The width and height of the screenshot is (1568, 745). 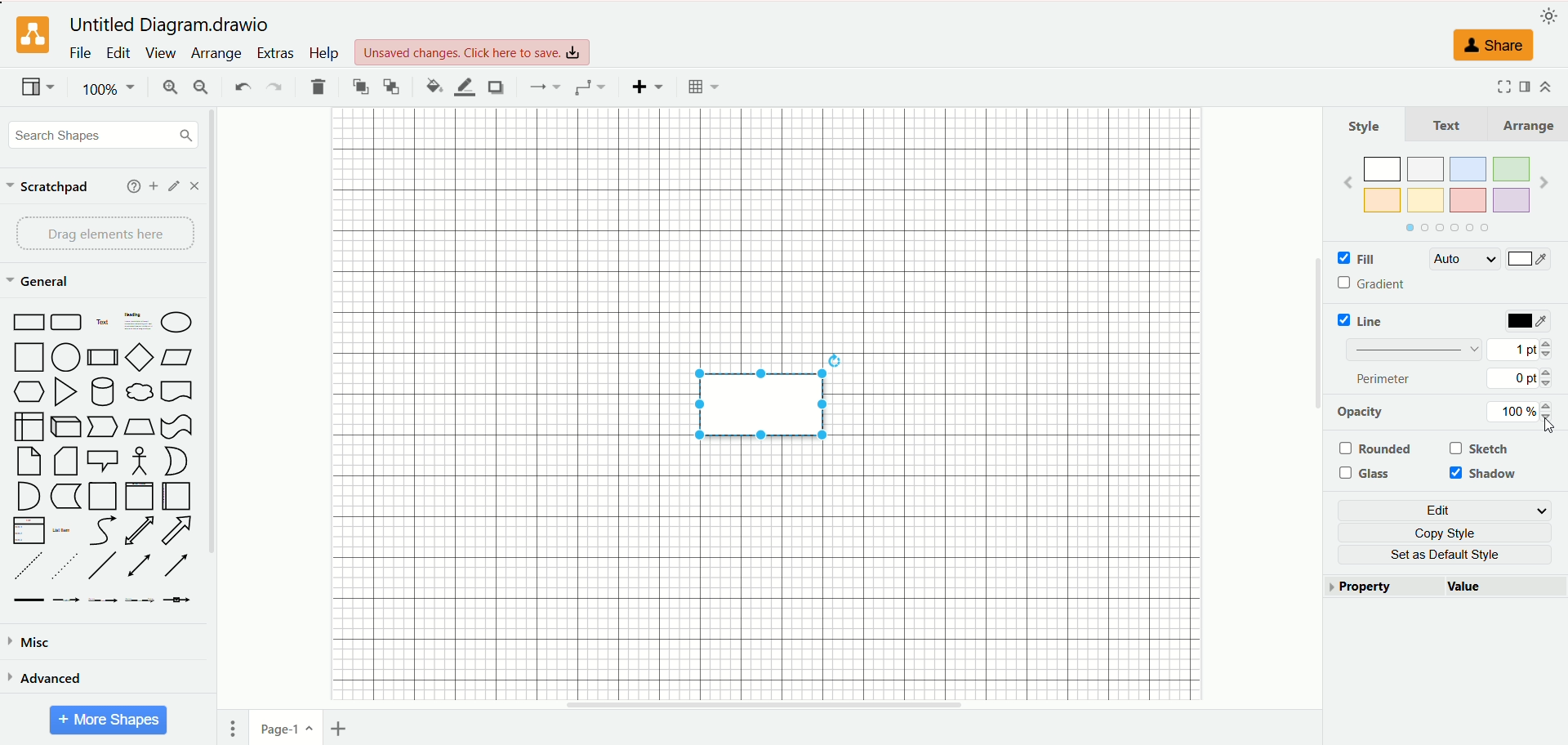 What do you see at coordinates (1546, 425) in the screenshot?
I see `cursor at Opacity` at bounding box center [1546, 425].